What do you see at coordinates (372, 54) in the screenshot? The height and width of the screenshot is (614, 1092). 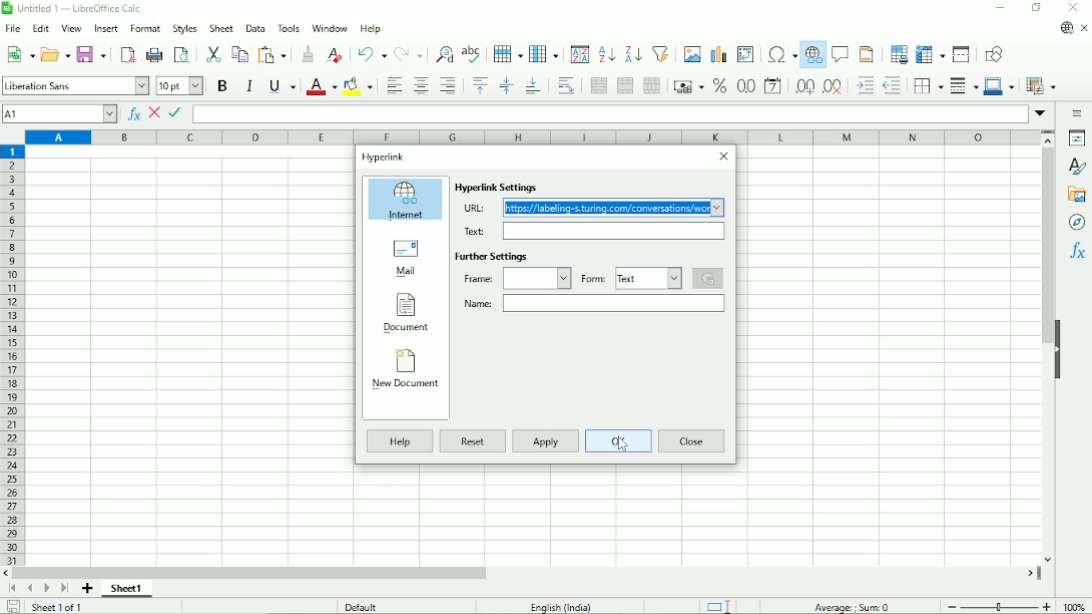 I see `Undo` at bounding box center [372, 54].